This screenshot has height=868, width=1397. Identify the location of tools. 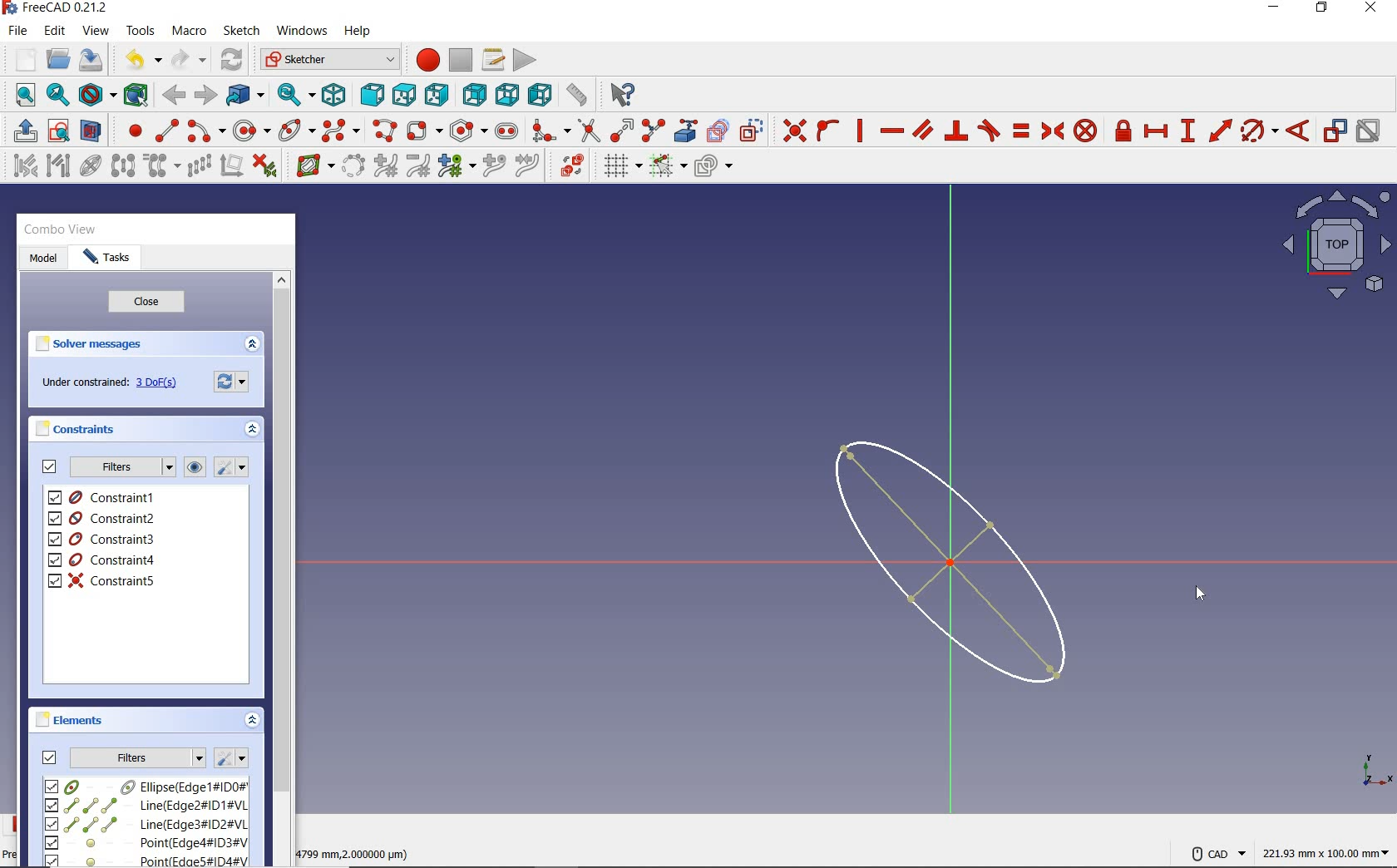
(142, 30).